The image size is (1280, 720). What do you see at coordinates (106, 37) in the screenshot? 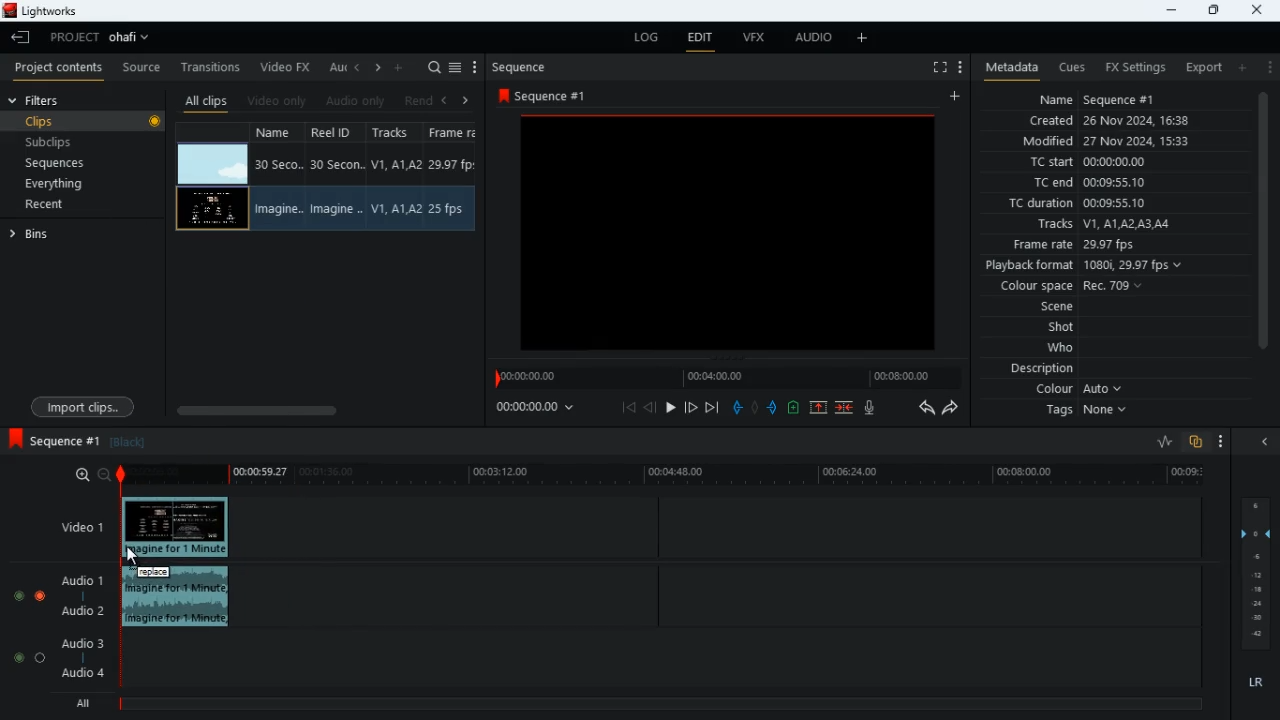
I see `project` at bounding box center [106, 37].